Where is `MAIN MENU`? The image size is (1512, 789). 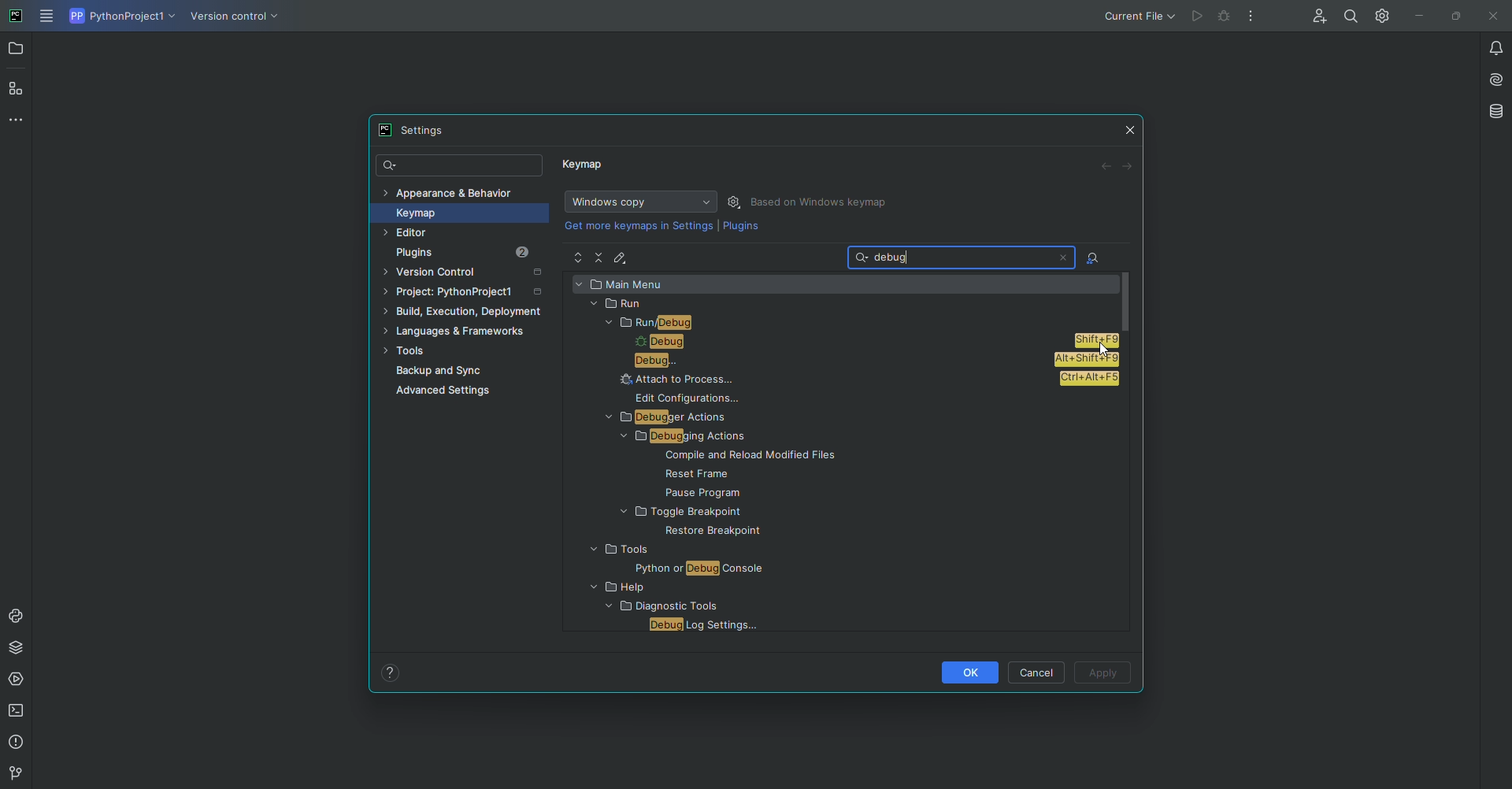 MAIN MENU is located at coordinates (843, 283).